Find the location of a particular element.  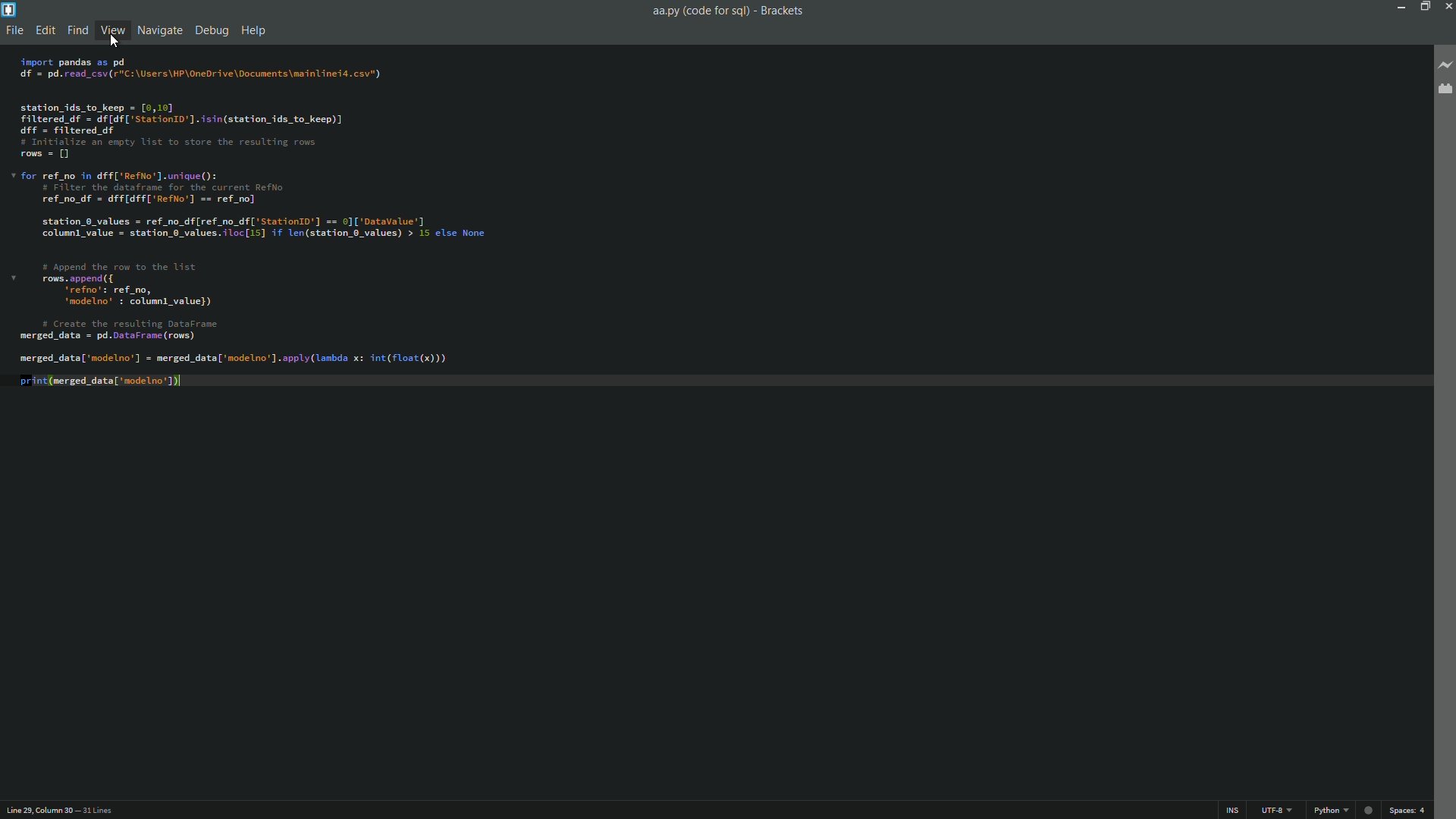

maximize button is located at coordinates (1423, 6).